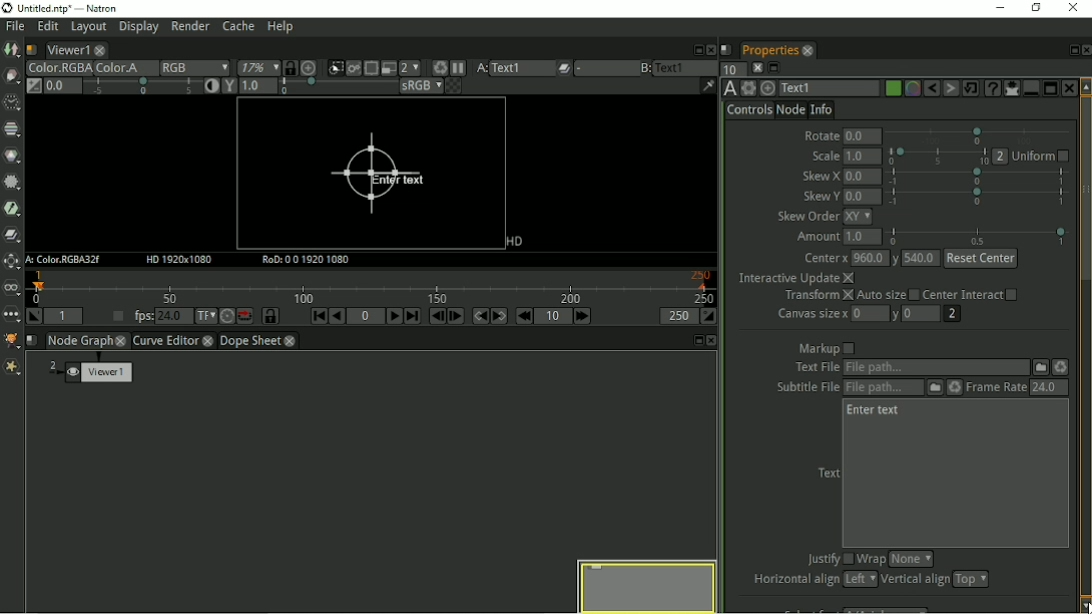  What do you see at coordinates (819, 196) in the screenshot?
I see `Skew Y` at bounding box center [819, 196].